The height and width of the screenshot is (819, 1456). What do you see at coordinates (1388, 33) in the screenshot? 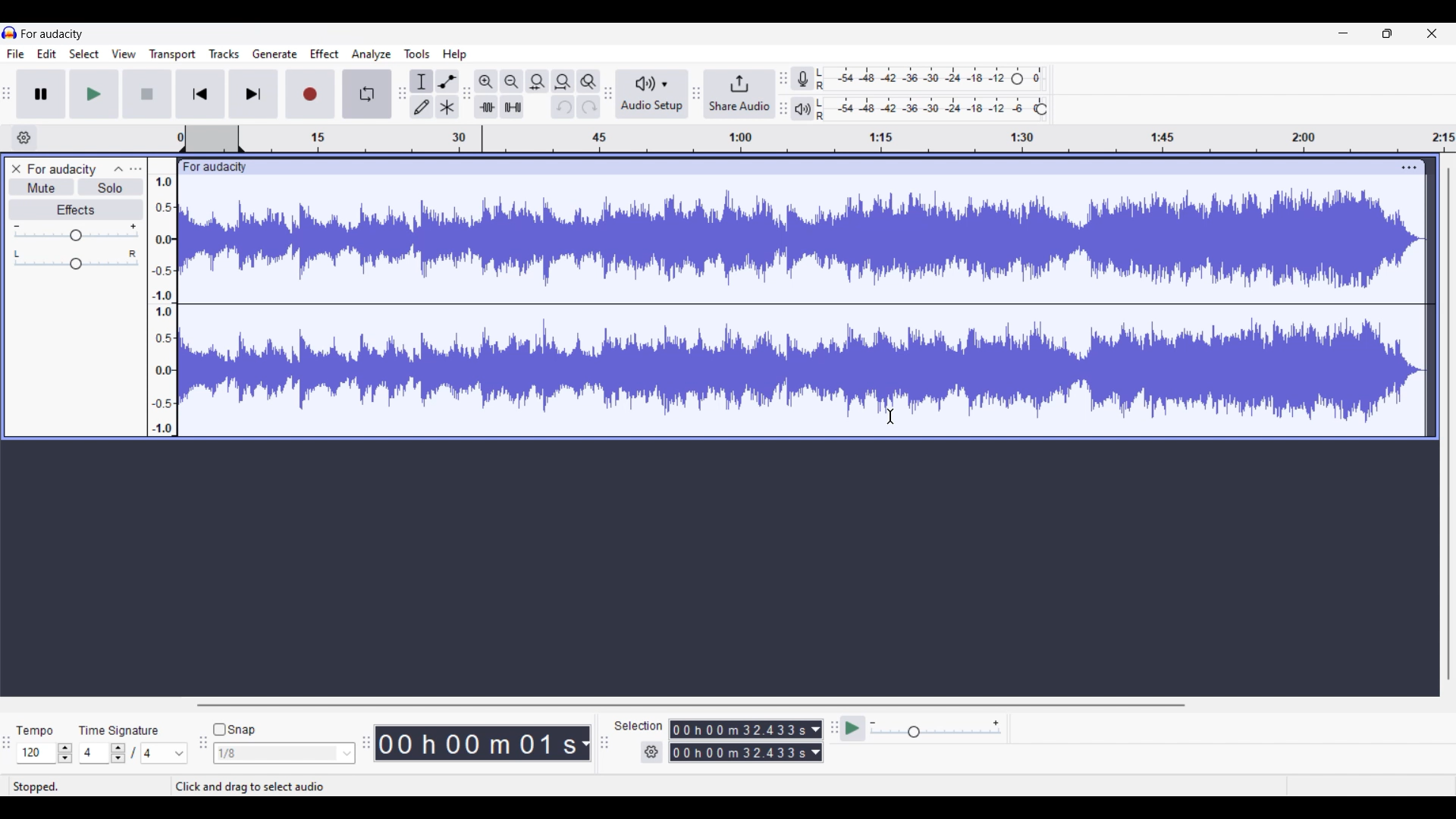
I see `Show in smaller tab` at bounding box center [1388, 33].